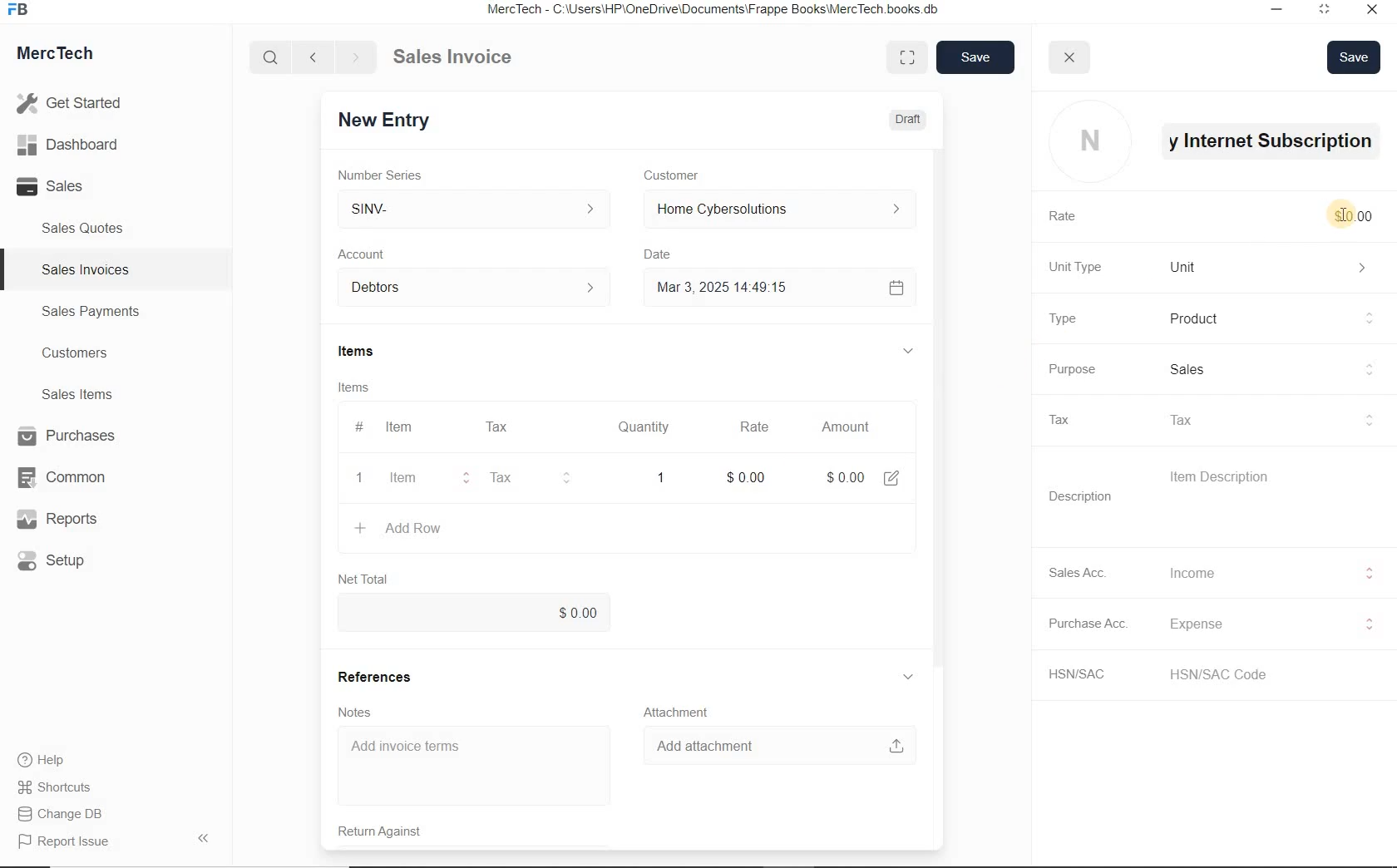  I want to click on Quantity, so click(644, 427).